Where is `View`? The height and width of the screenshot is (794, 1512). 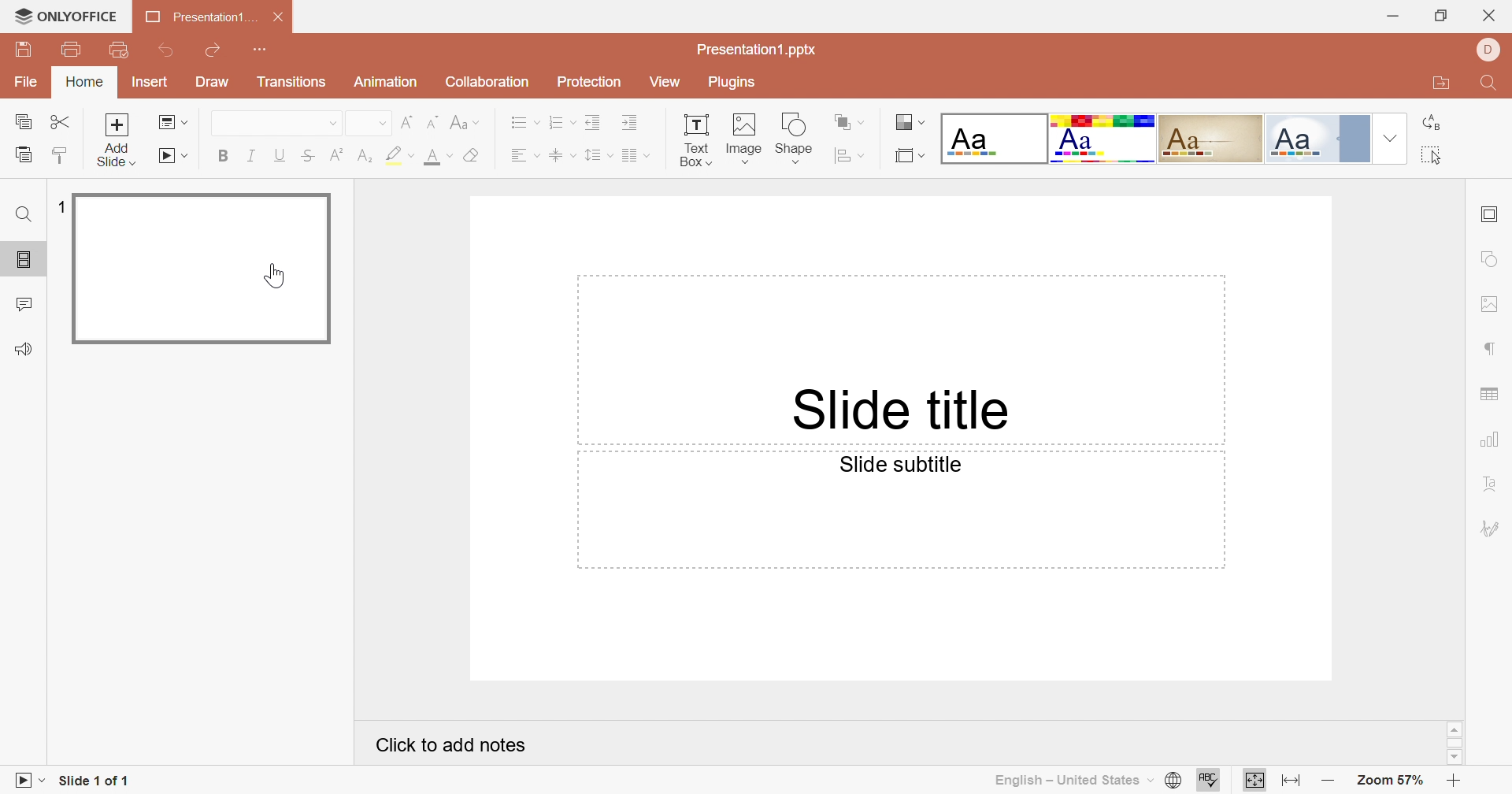 View is located at coordinates (667, 84).